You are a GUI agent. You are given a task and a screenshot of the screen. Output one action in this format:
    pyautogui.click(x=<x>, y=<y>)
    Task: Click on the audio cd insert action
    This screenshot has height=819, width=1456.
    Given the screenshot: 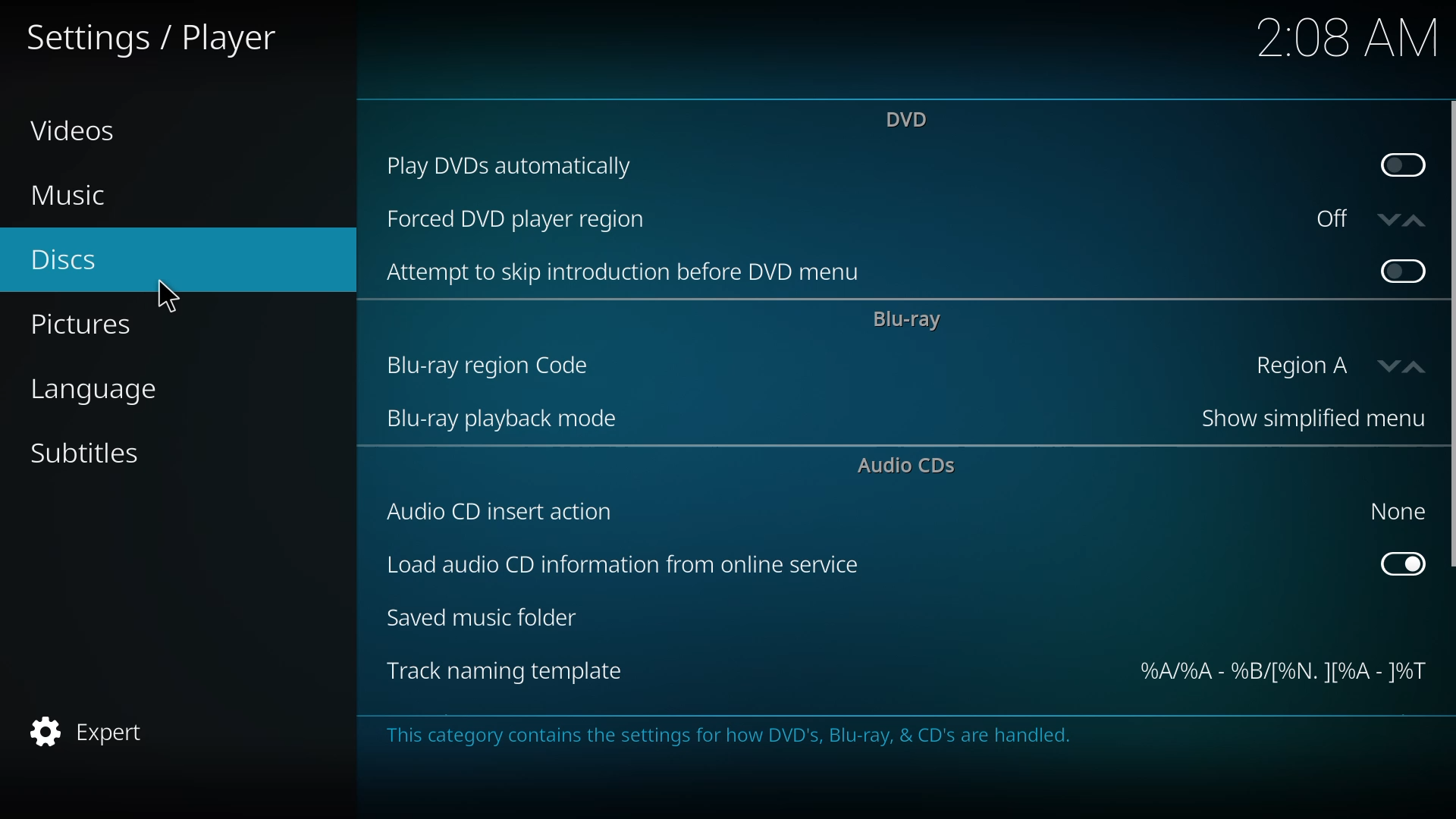 What is the action you would take?
    pyautogui.click(x=503, y=511)
    